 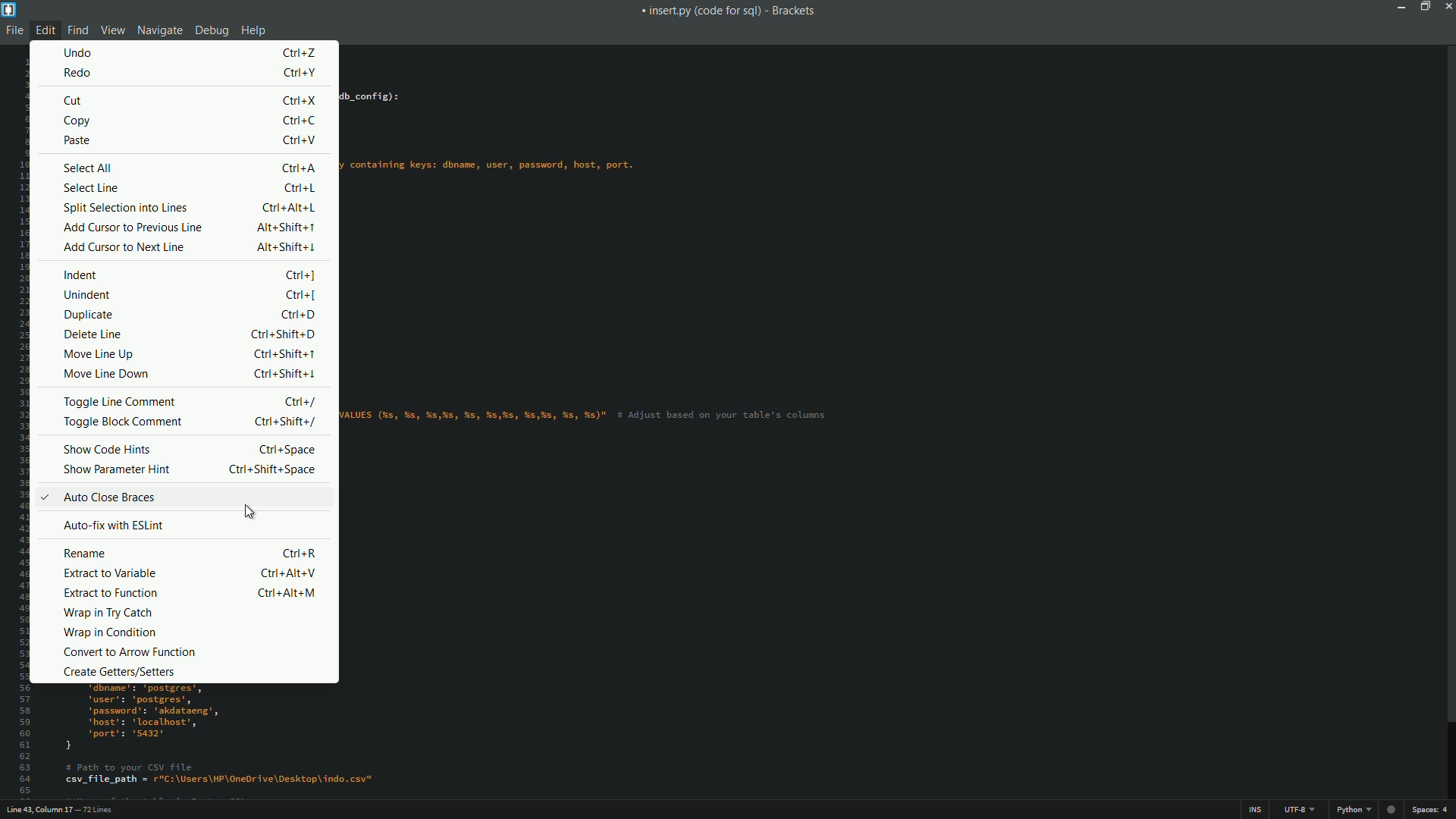 What do you see at coordinates (121, 400) in the screenshot?
I see `toggle line comment` at bounding box center [121, 400].